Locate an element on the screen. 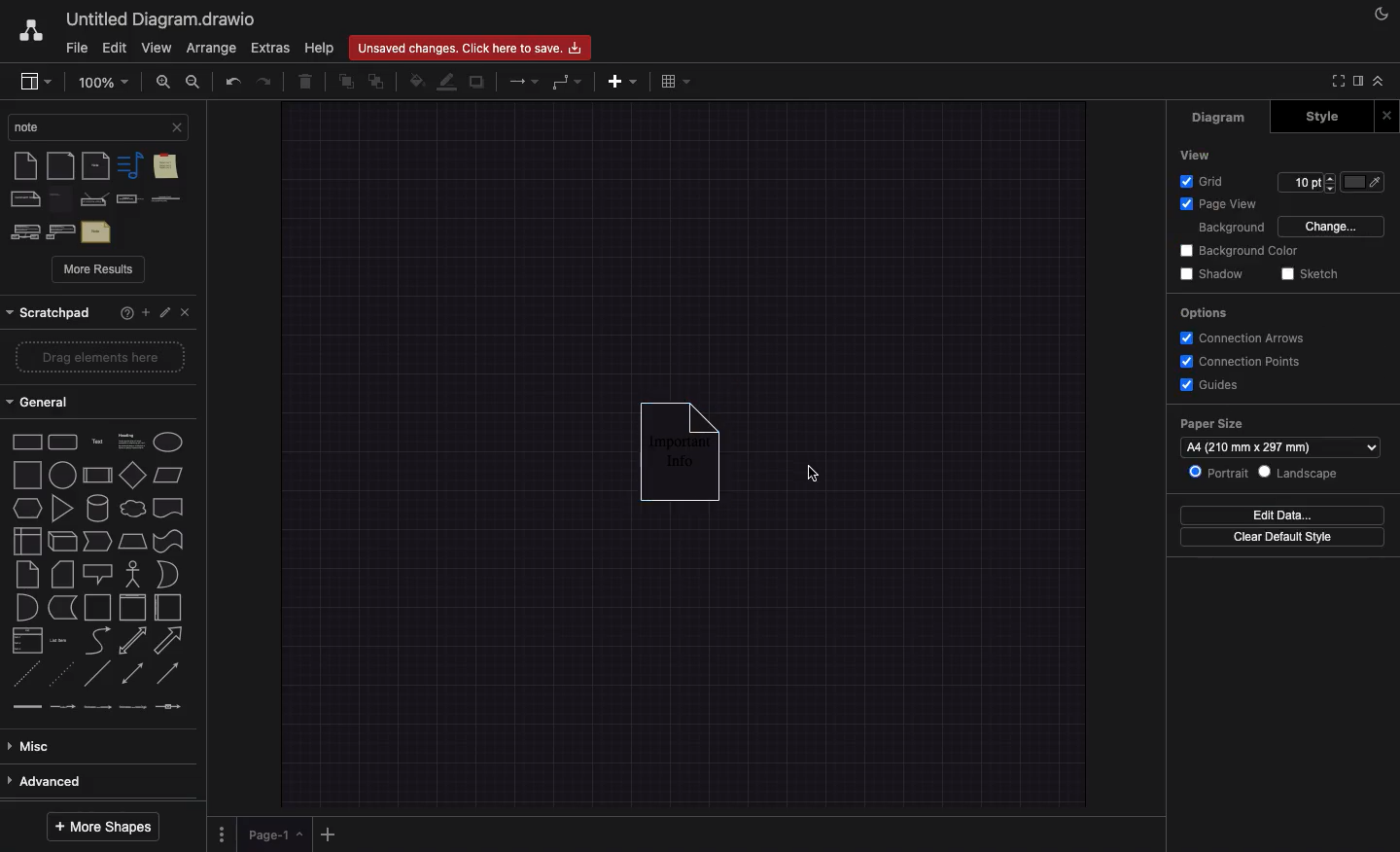 The image size is (1400, 852). paralellogram is located at coordinates (171, 475).